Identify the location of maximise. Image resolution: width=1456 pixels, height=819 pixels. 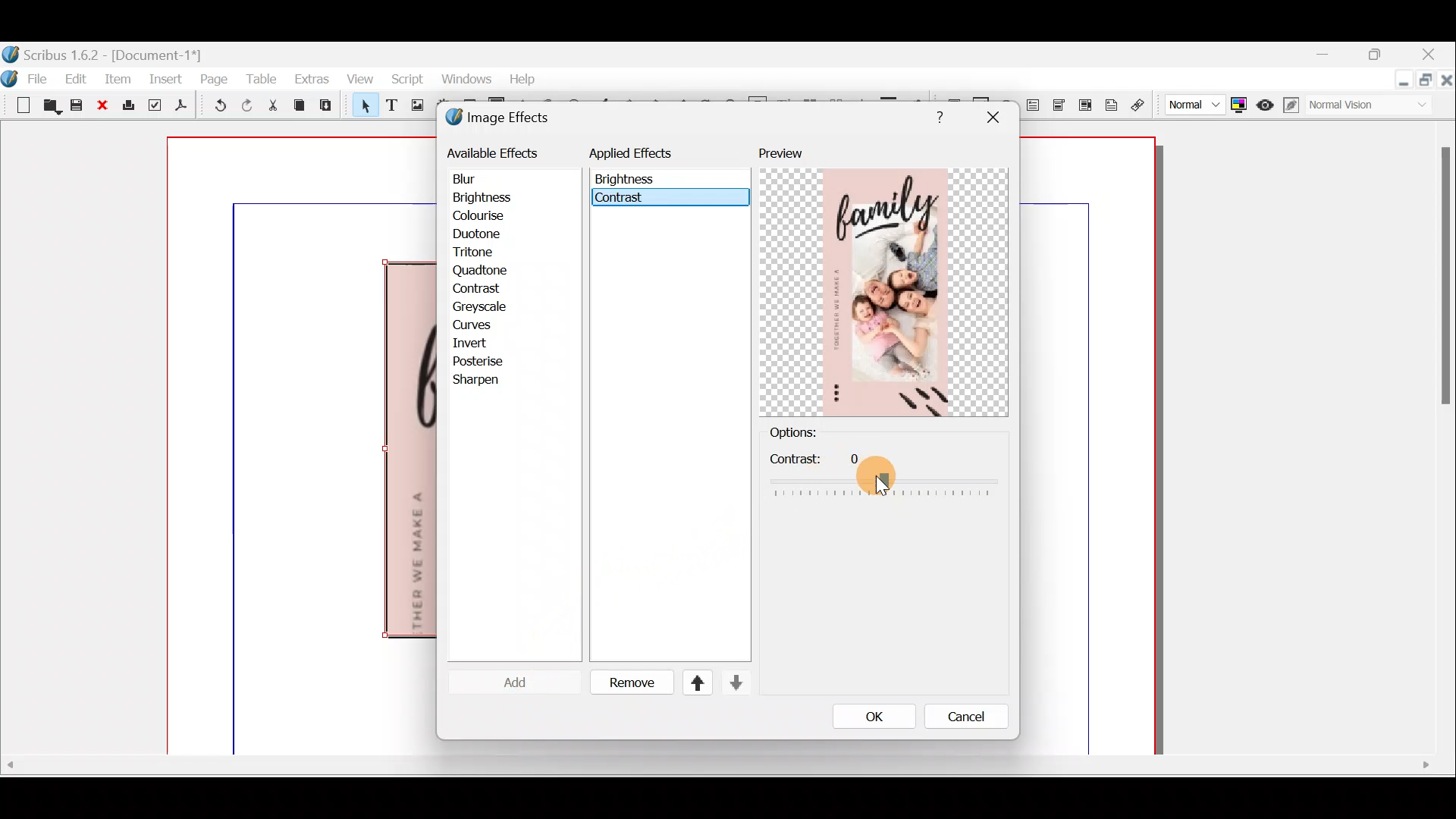
(1379, 57).